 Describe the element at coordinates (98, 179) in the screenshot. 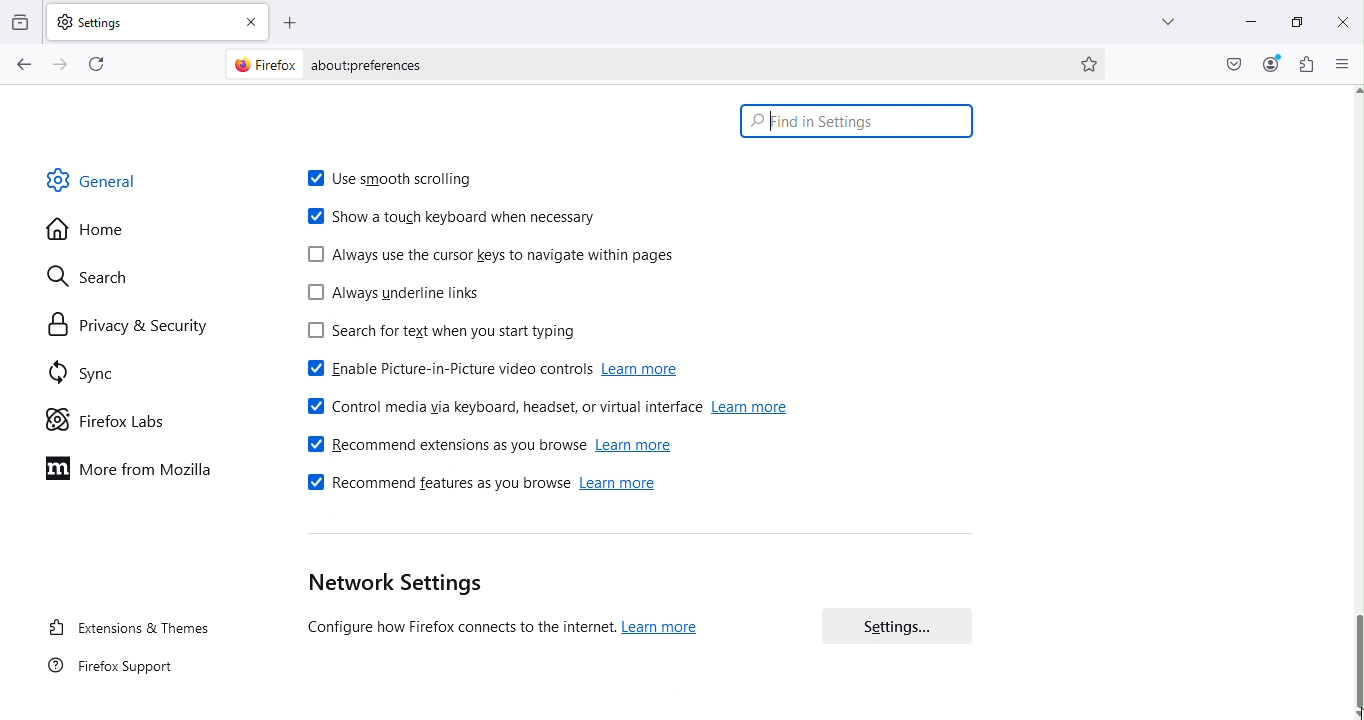

I see `General` at that location.